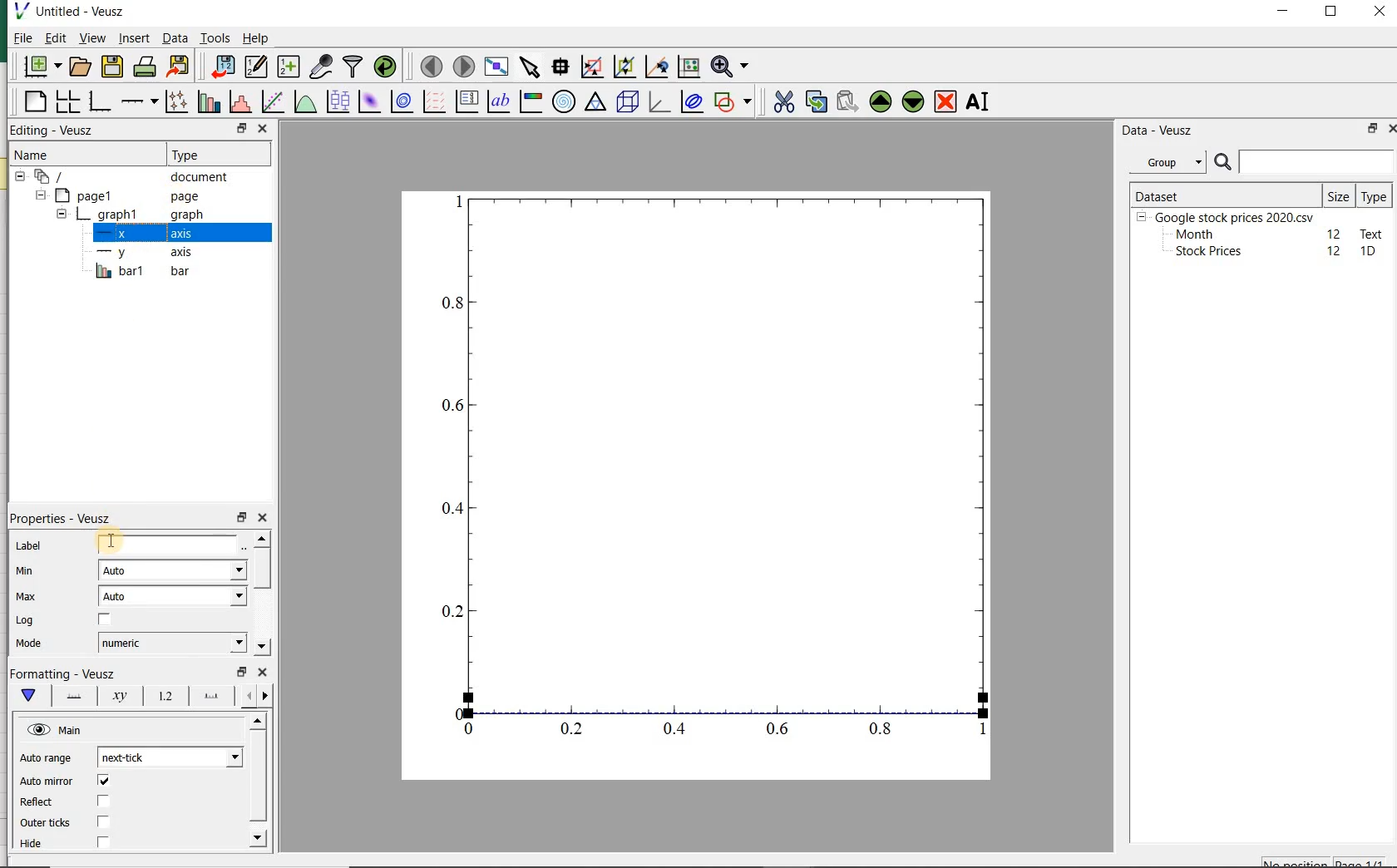  I want to click on Stock prices, so click(1201, 252).